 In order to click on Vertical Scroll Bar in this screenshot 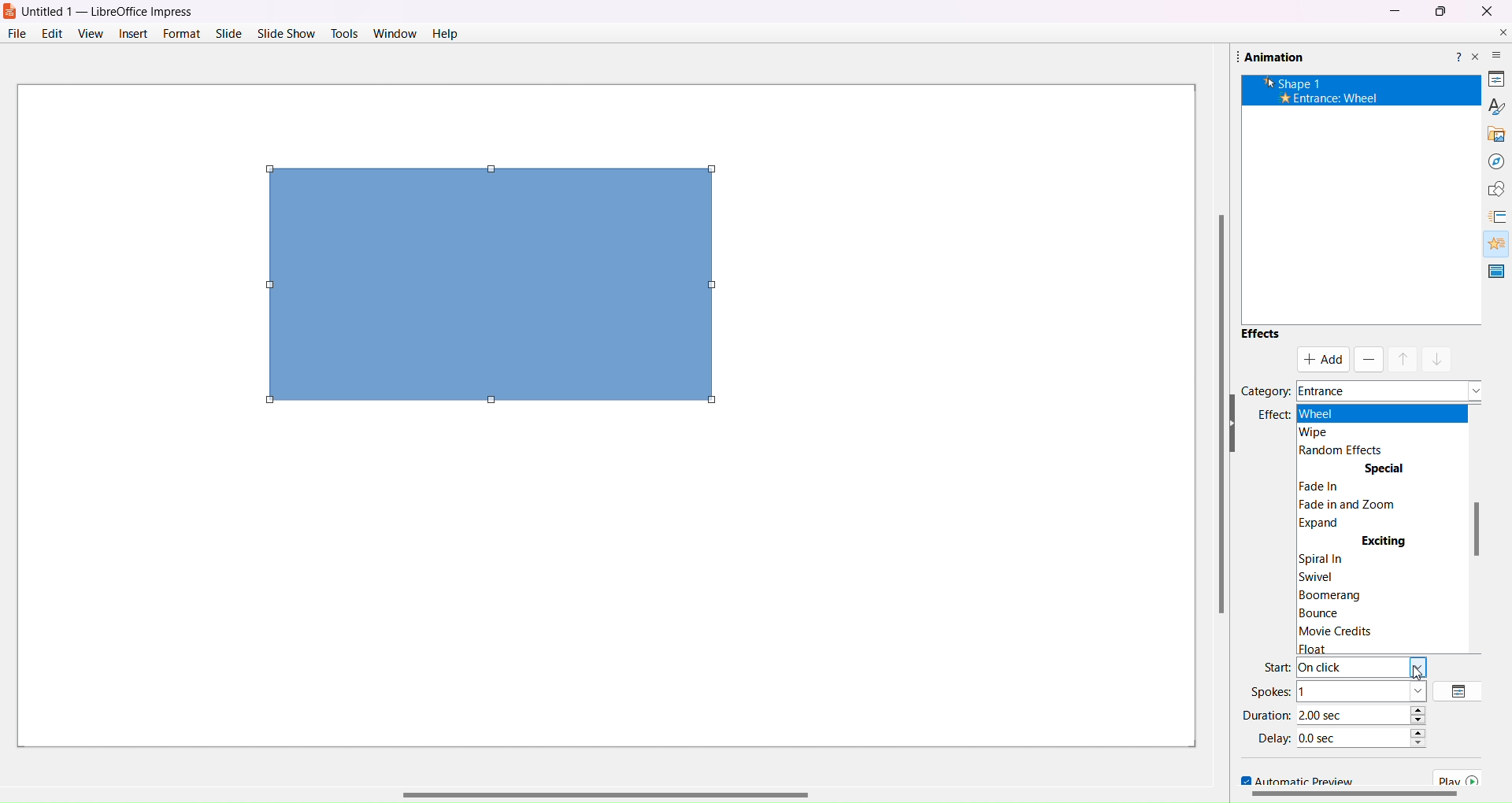, I will do `click(1210, 415)`.